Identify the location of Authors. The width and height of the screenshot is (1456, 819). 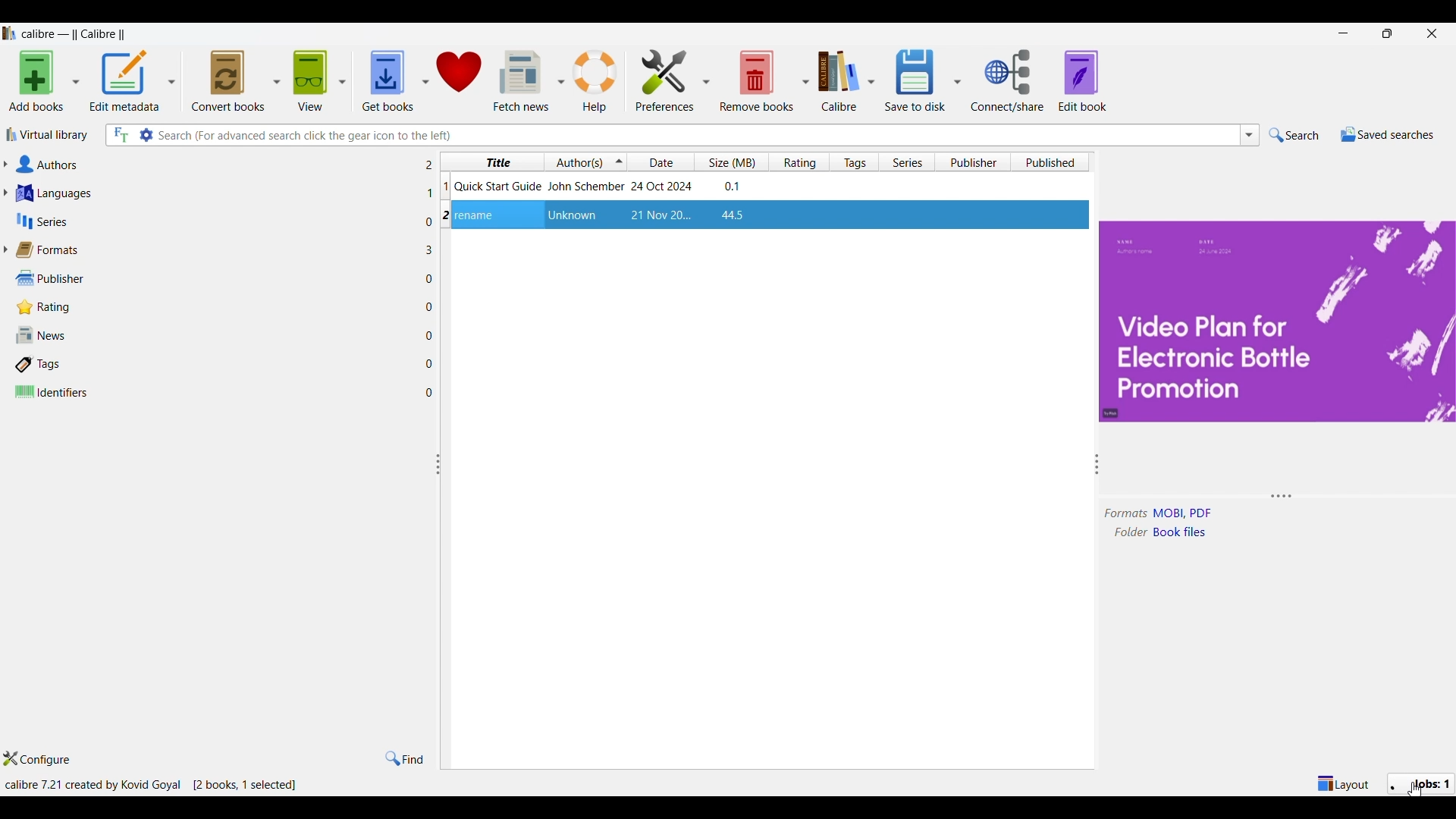
(215, 165).